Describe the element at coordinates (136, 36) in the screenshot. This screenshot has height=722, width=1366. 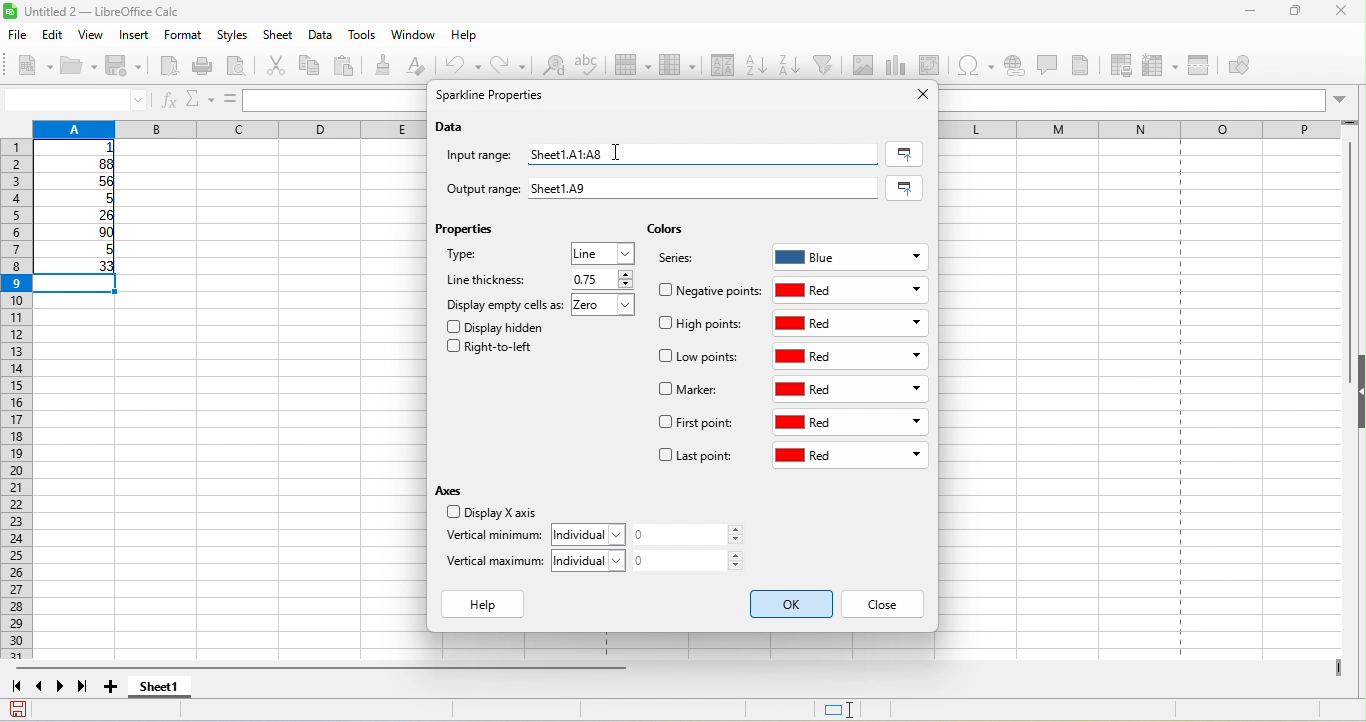
I see `insert` at that location.